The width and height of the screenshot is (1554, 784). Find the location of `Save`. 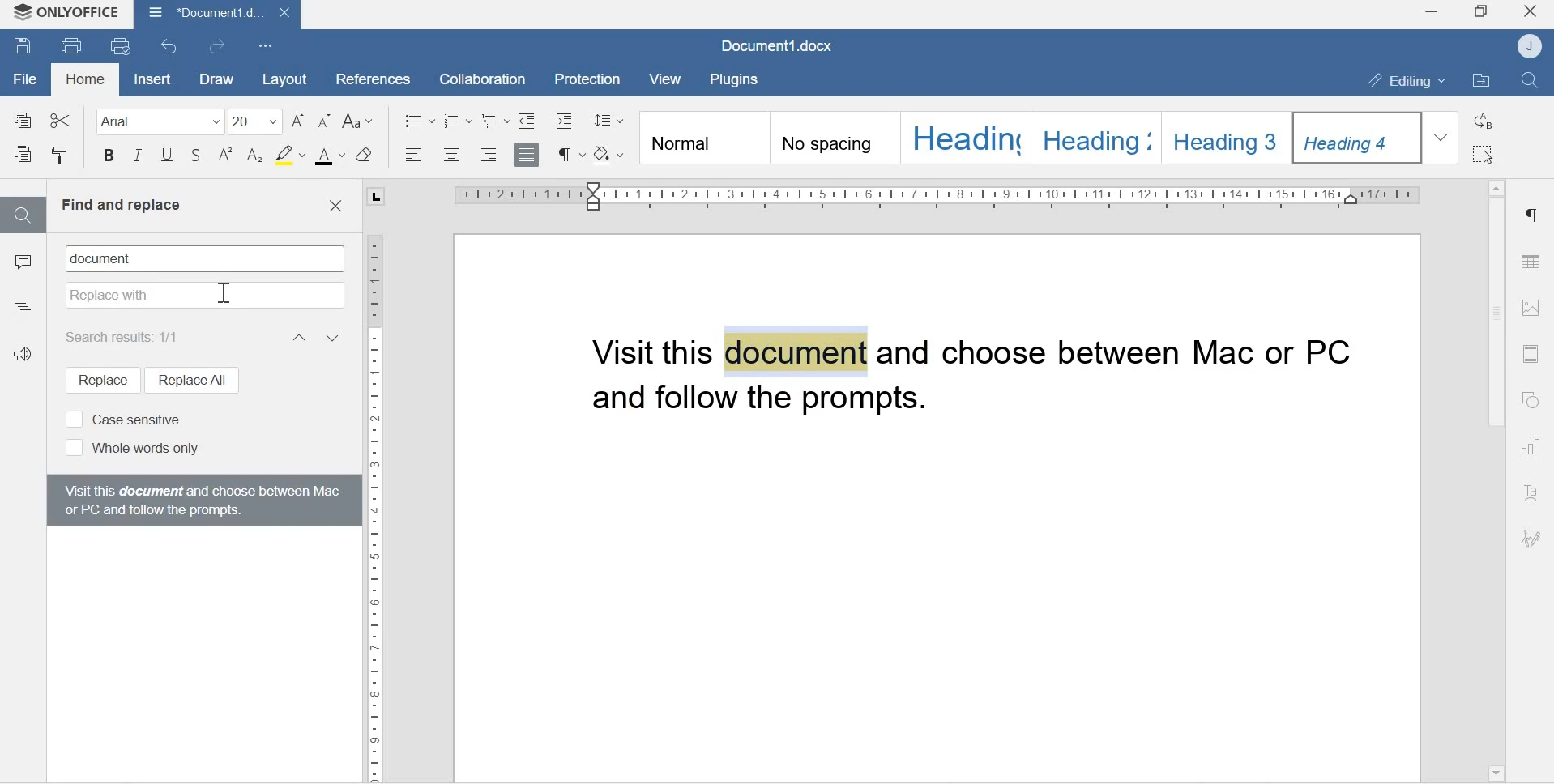

Save is located at coordinates (23, 48).